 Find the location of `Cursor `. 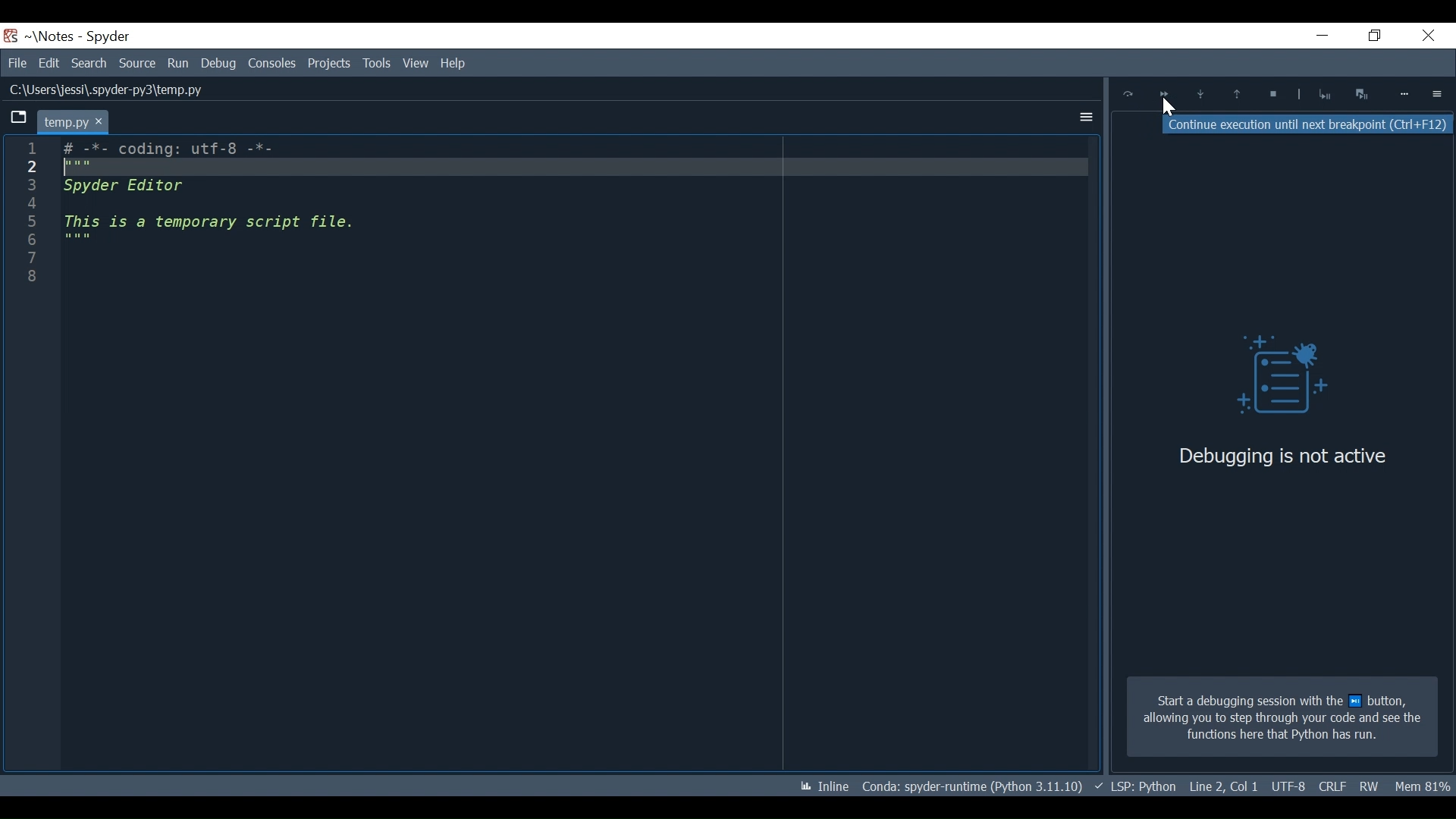

Cursor  is located at coordinates (1168, 108).